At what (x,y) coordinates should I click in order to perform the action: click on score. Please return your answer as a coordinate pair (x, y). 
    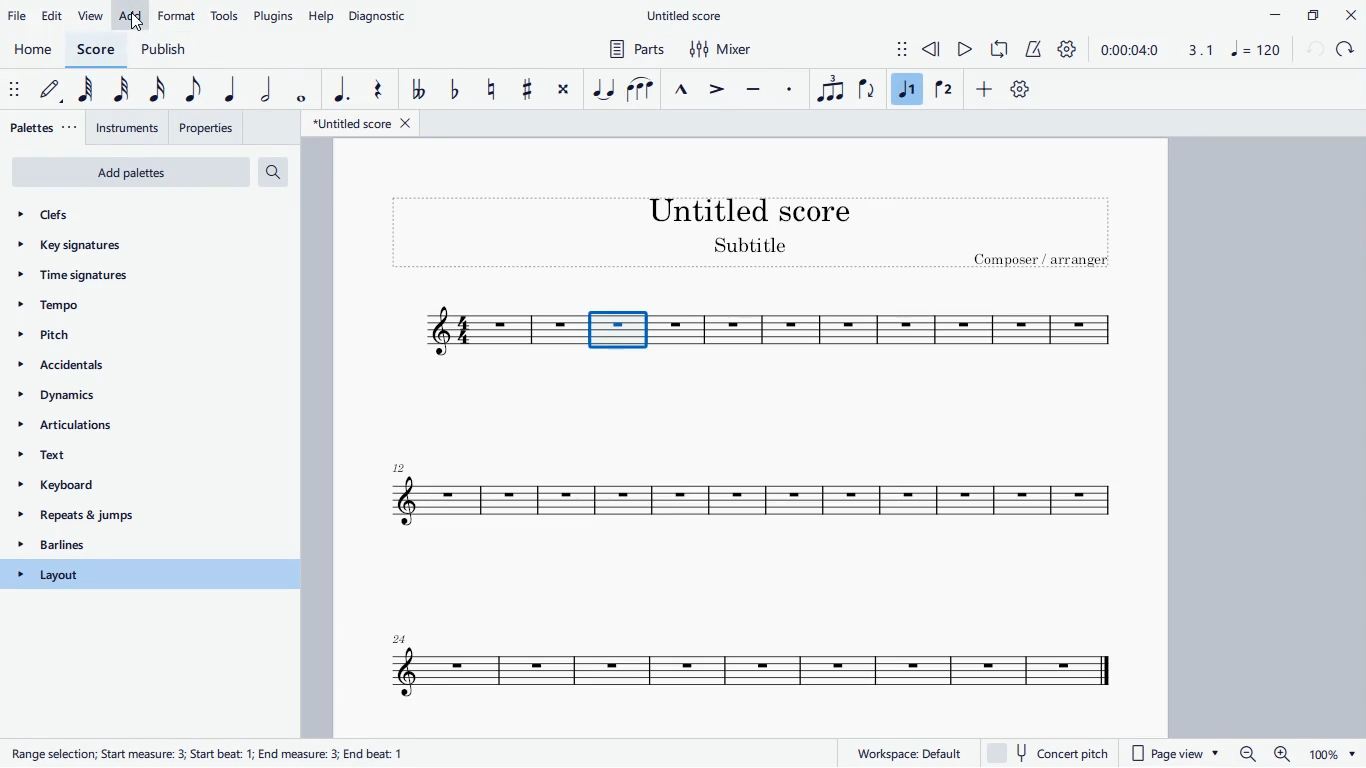
    Looking at the image, I should click on (894, 331).